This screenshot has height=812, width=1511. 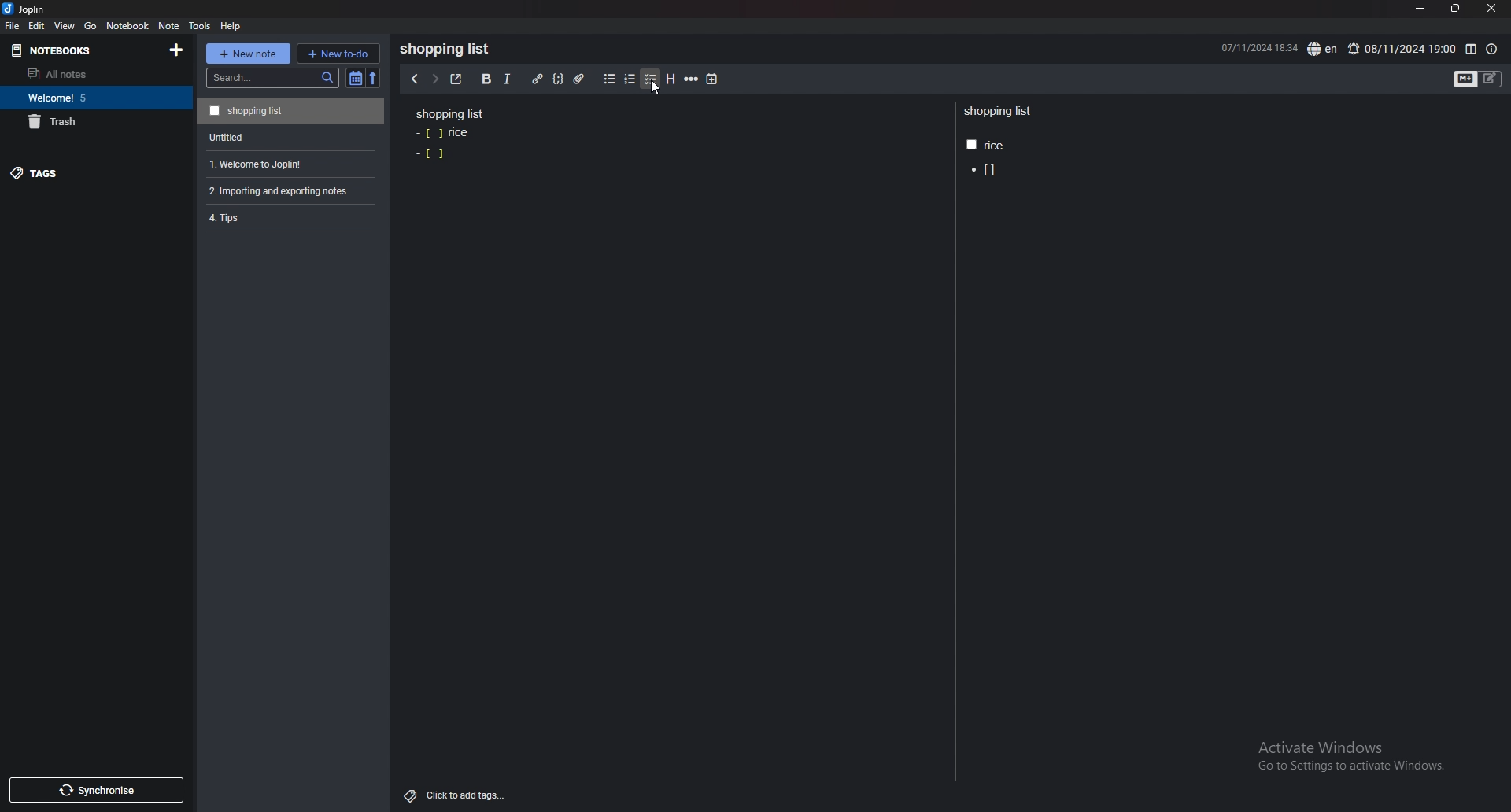 What do you see at coordinates (456, 796) in the screenshot?
I see `add tags` at bounding box center [456, 796].